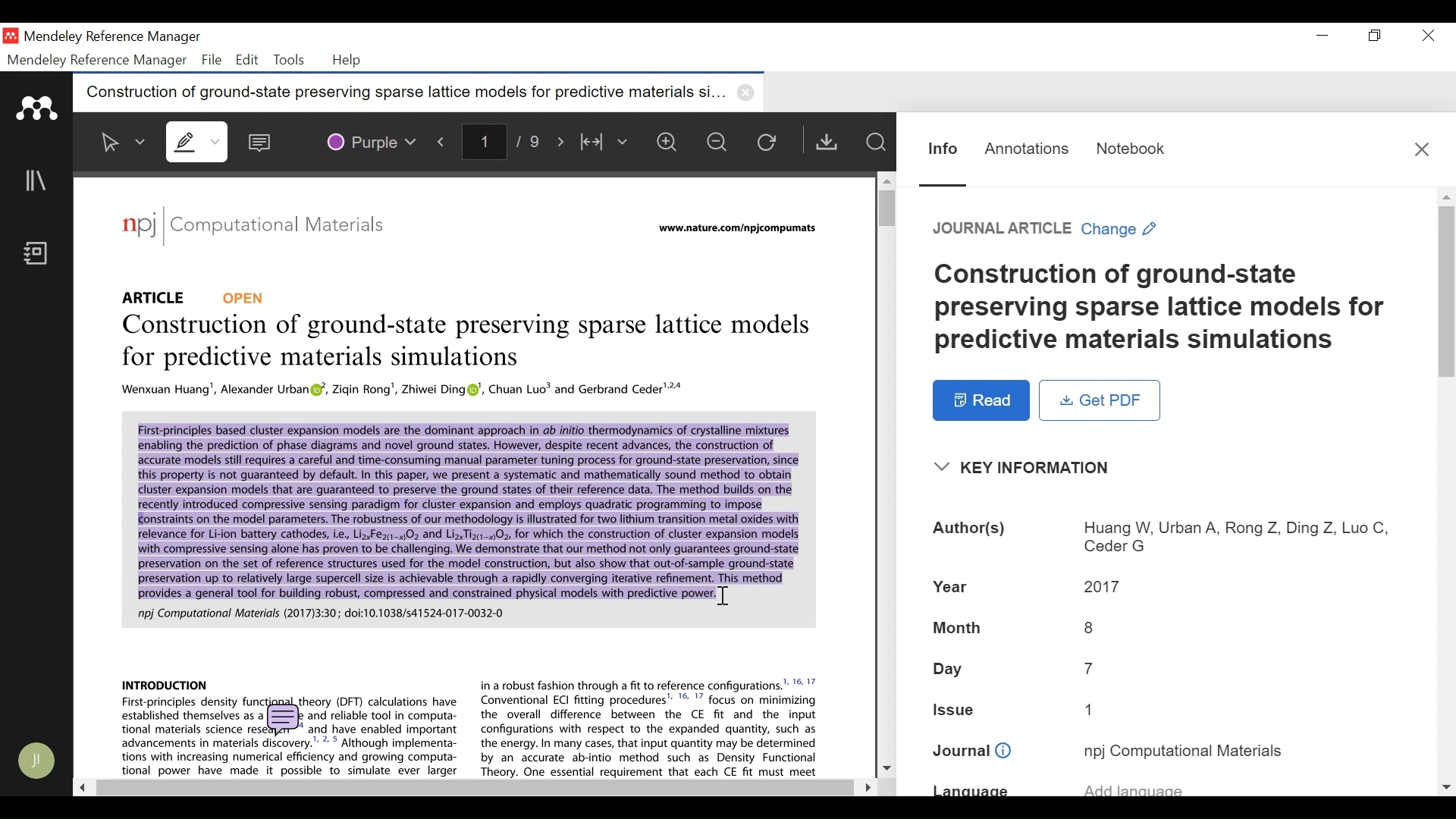 This screenshot has width=1456, height=819. What do you see at coordinates (886, 766) in the screenshot?
I see `Scroll down` at bounding box center [886, 766].